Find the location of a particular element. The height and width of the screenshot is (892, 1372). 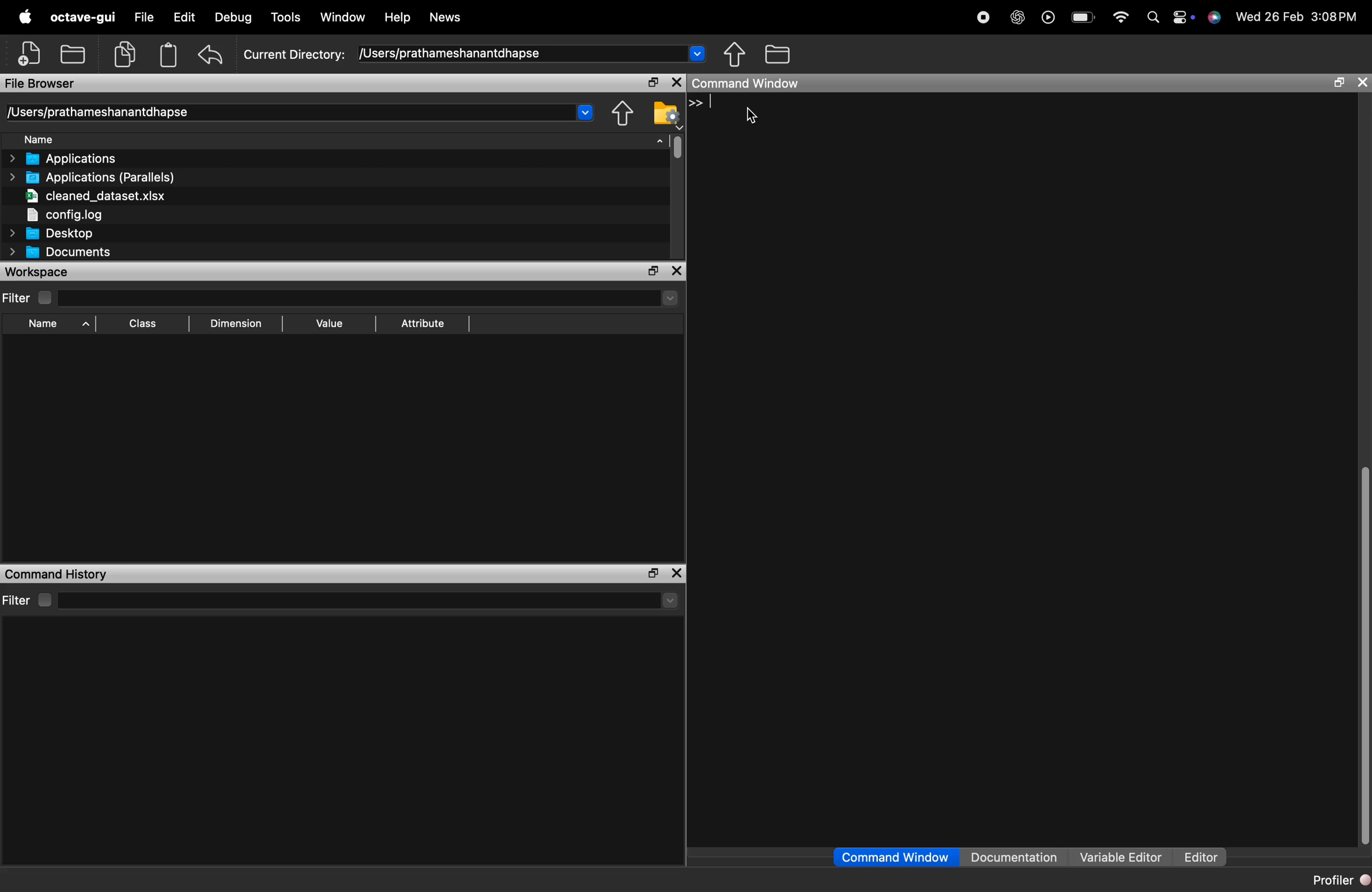

Dimension is located at coordinates (235, 322).